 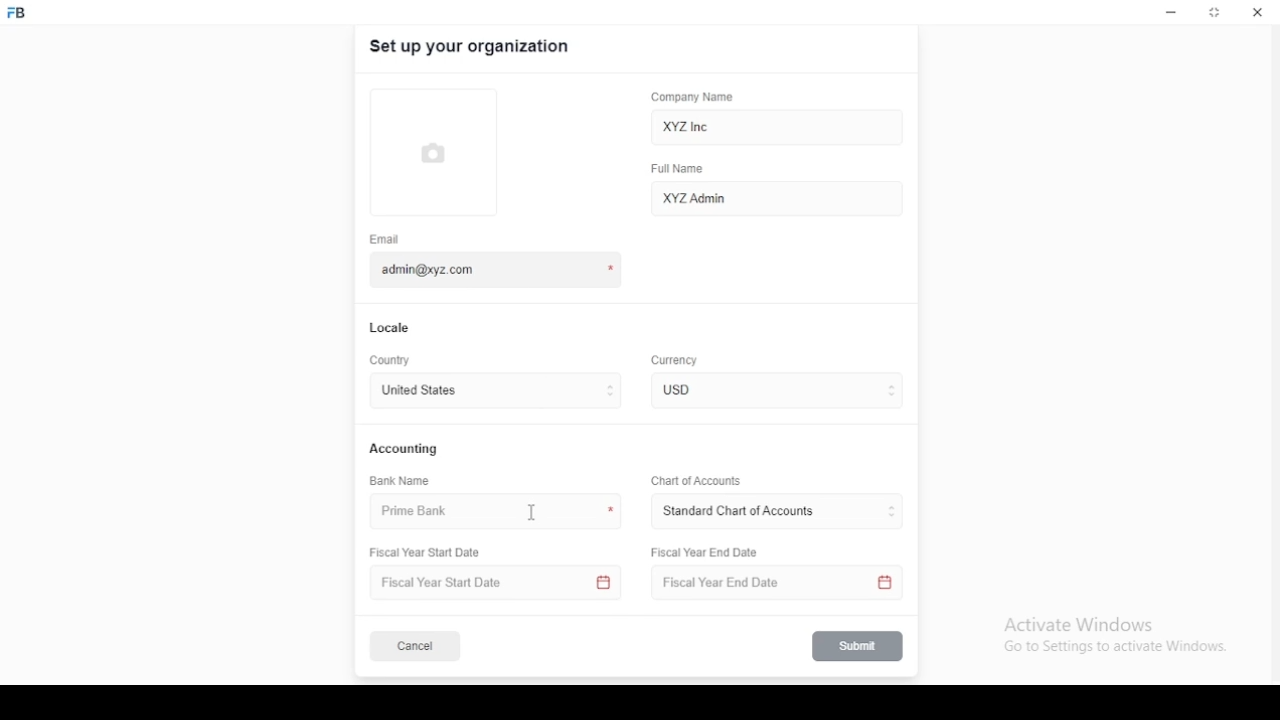 I want to click on submit, so click(x=859, y=646).